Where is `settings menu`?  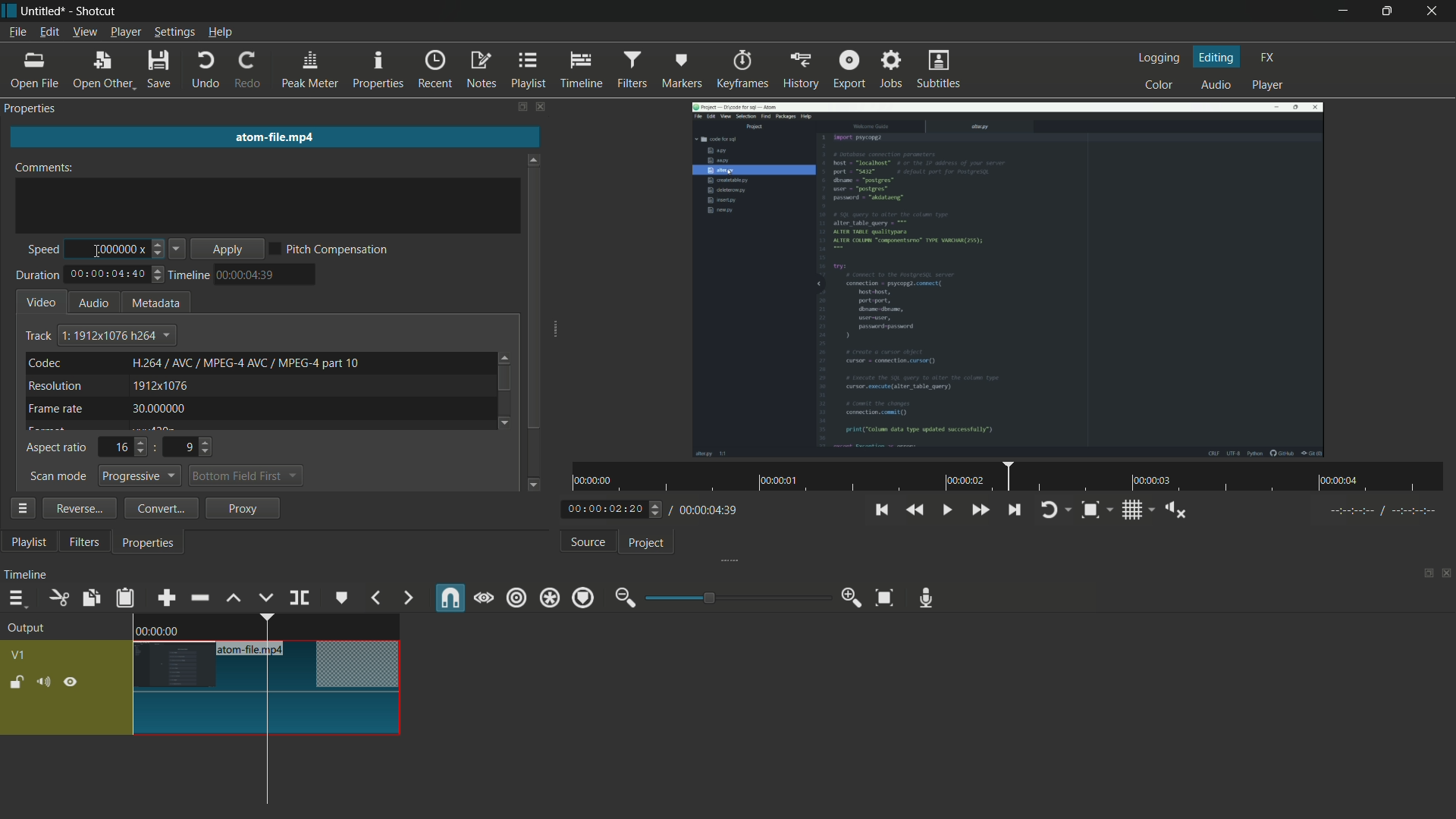 settings menu is located at coordinates (175, 33).